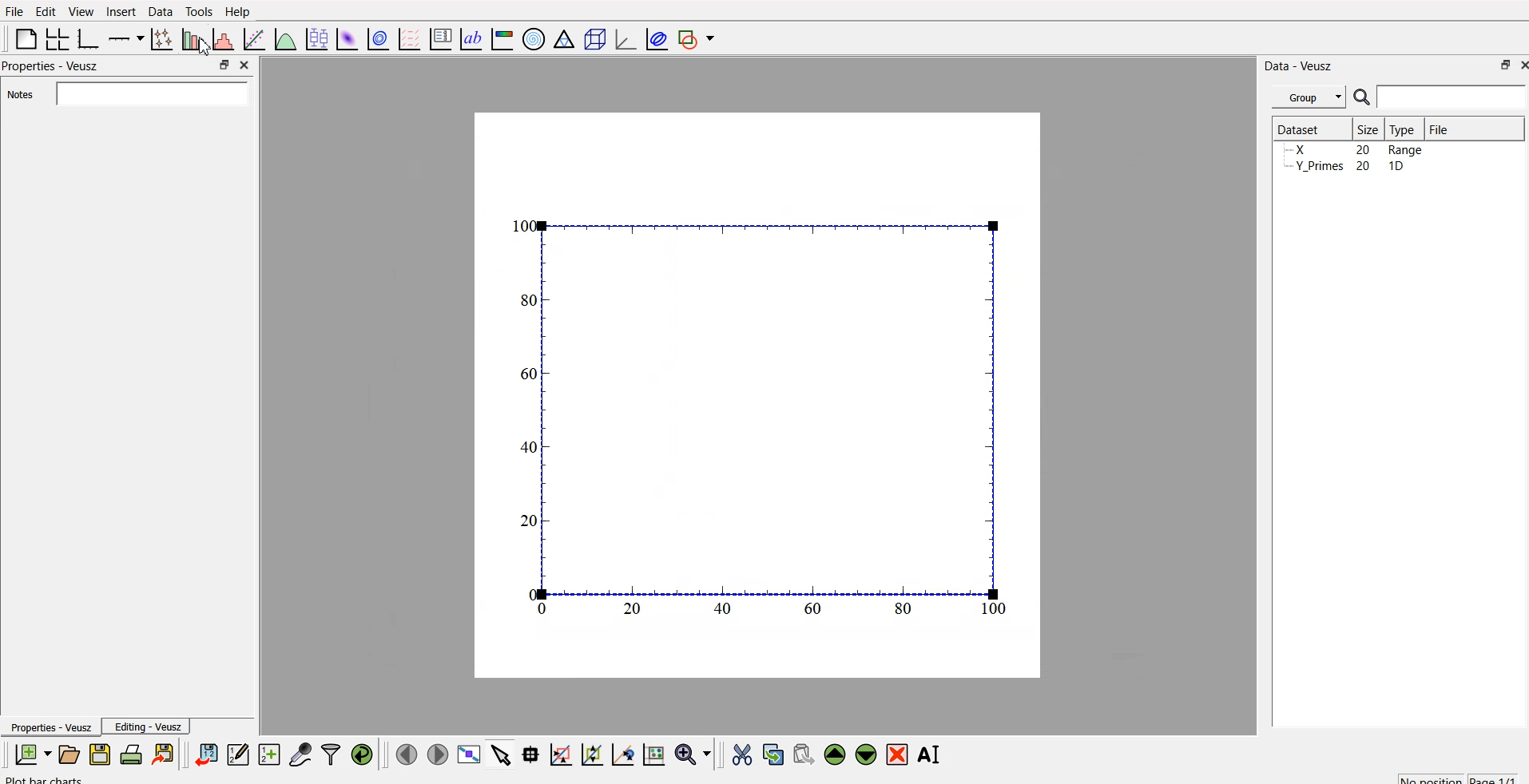  Describe the element at coordinates (738, 754) in the screenshot. I see `cut the widget` at that location.